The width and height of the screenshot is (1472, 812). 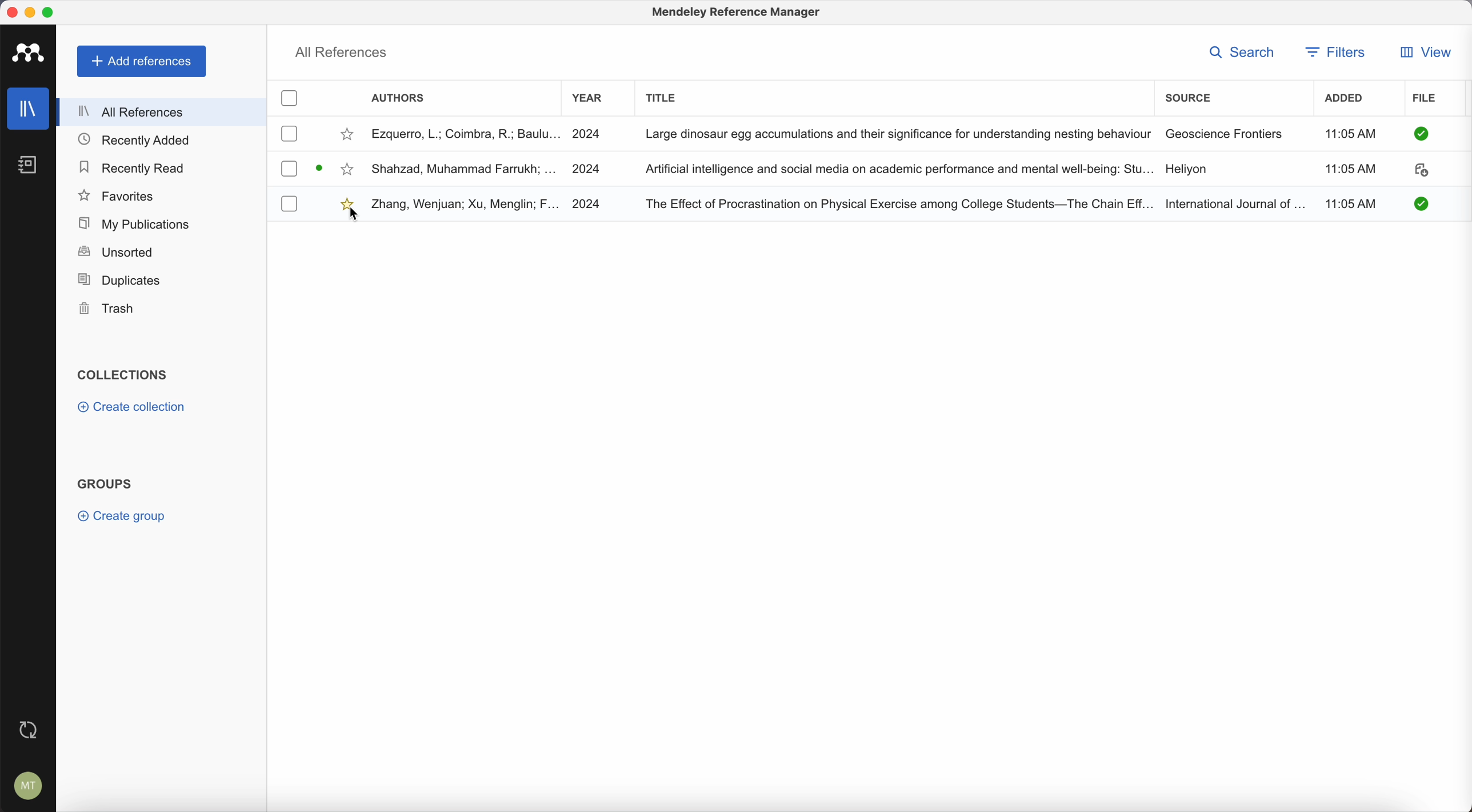 I want to click on 2024, so click(x=595, y=167).